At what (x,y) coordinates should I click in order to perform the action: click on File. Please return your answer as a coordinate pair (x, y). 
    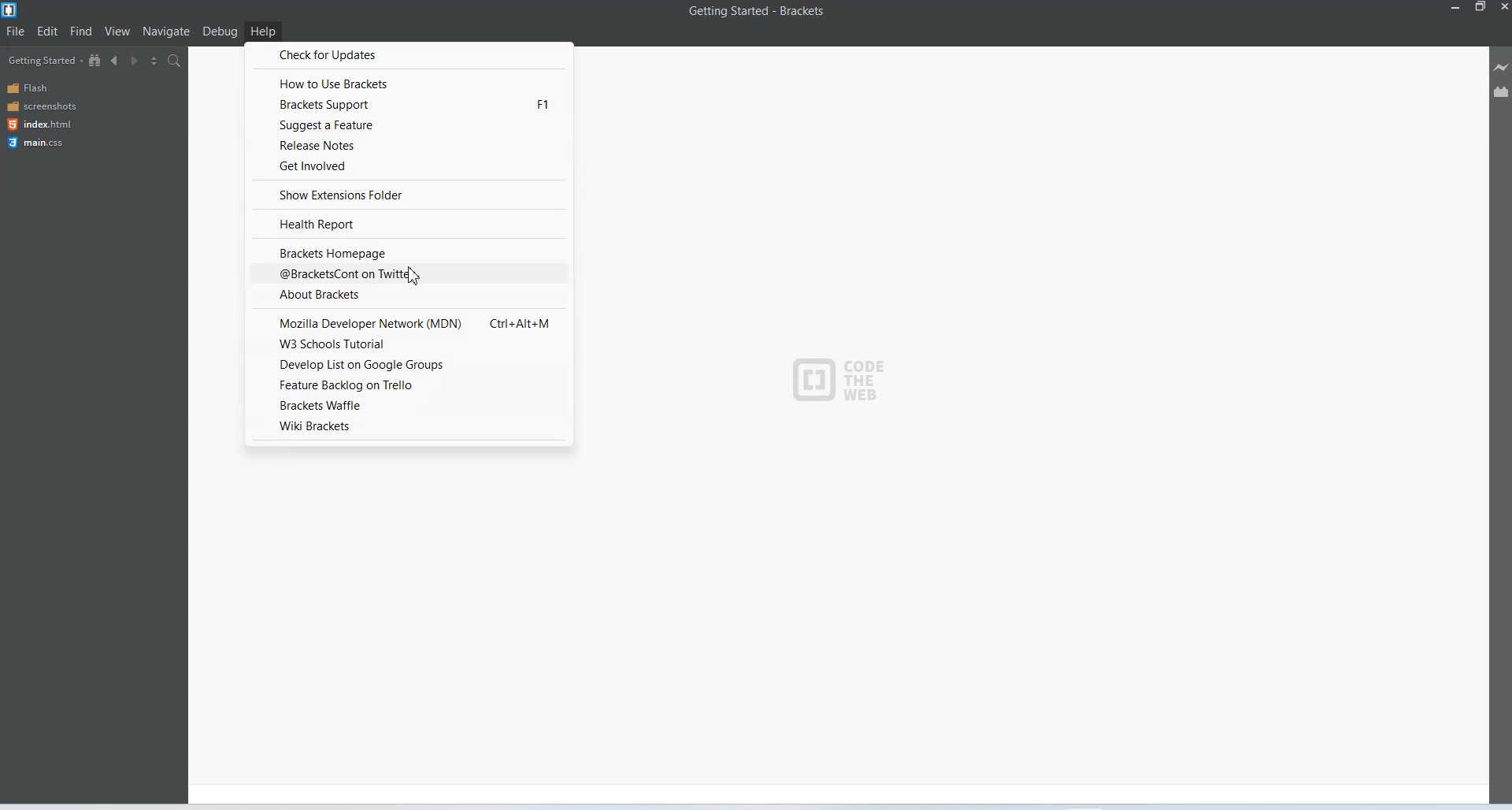
    Looking at the image, I should click on (16, 31).